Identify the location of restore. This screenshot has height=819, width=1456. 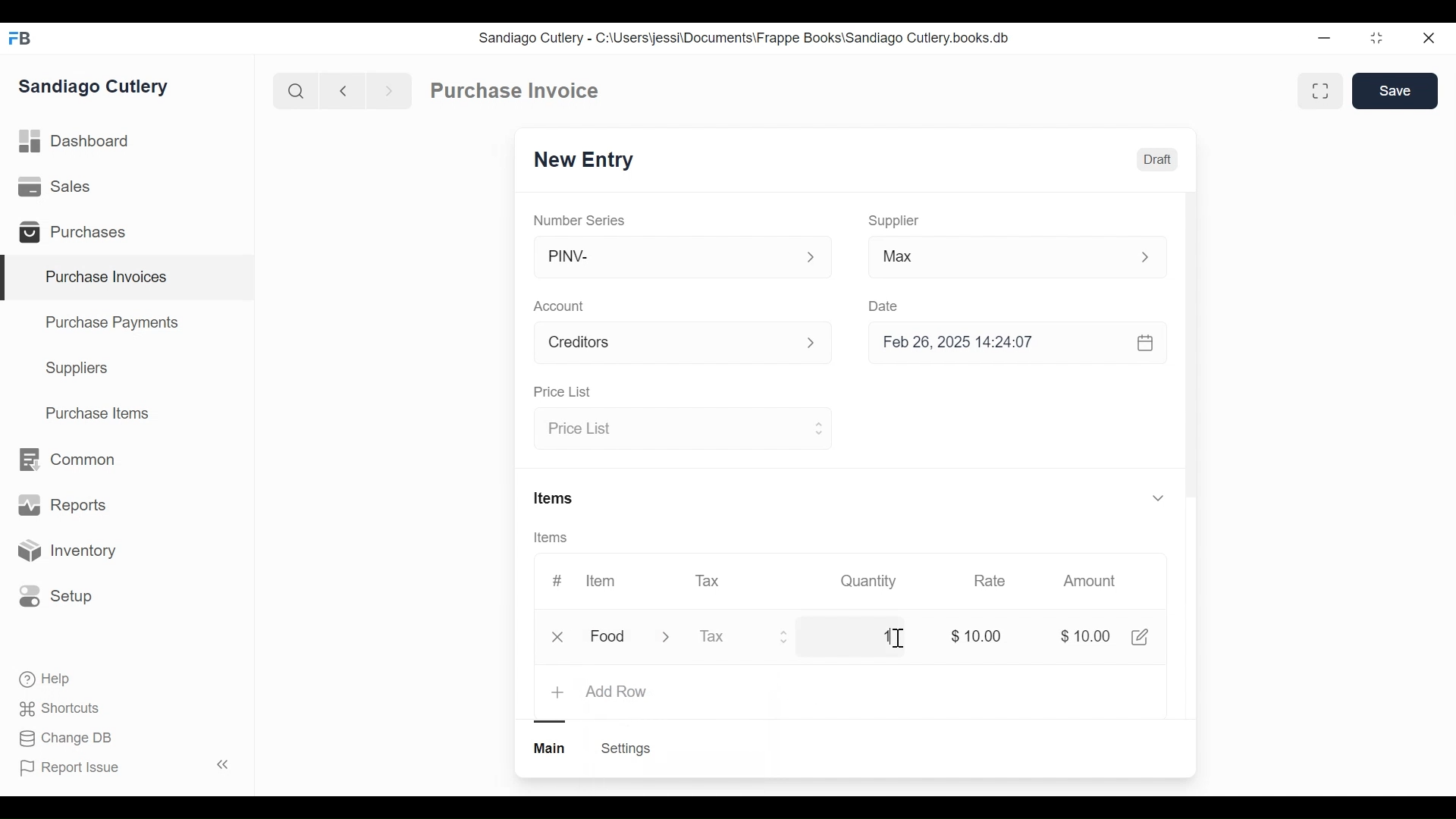
(1375, 39).